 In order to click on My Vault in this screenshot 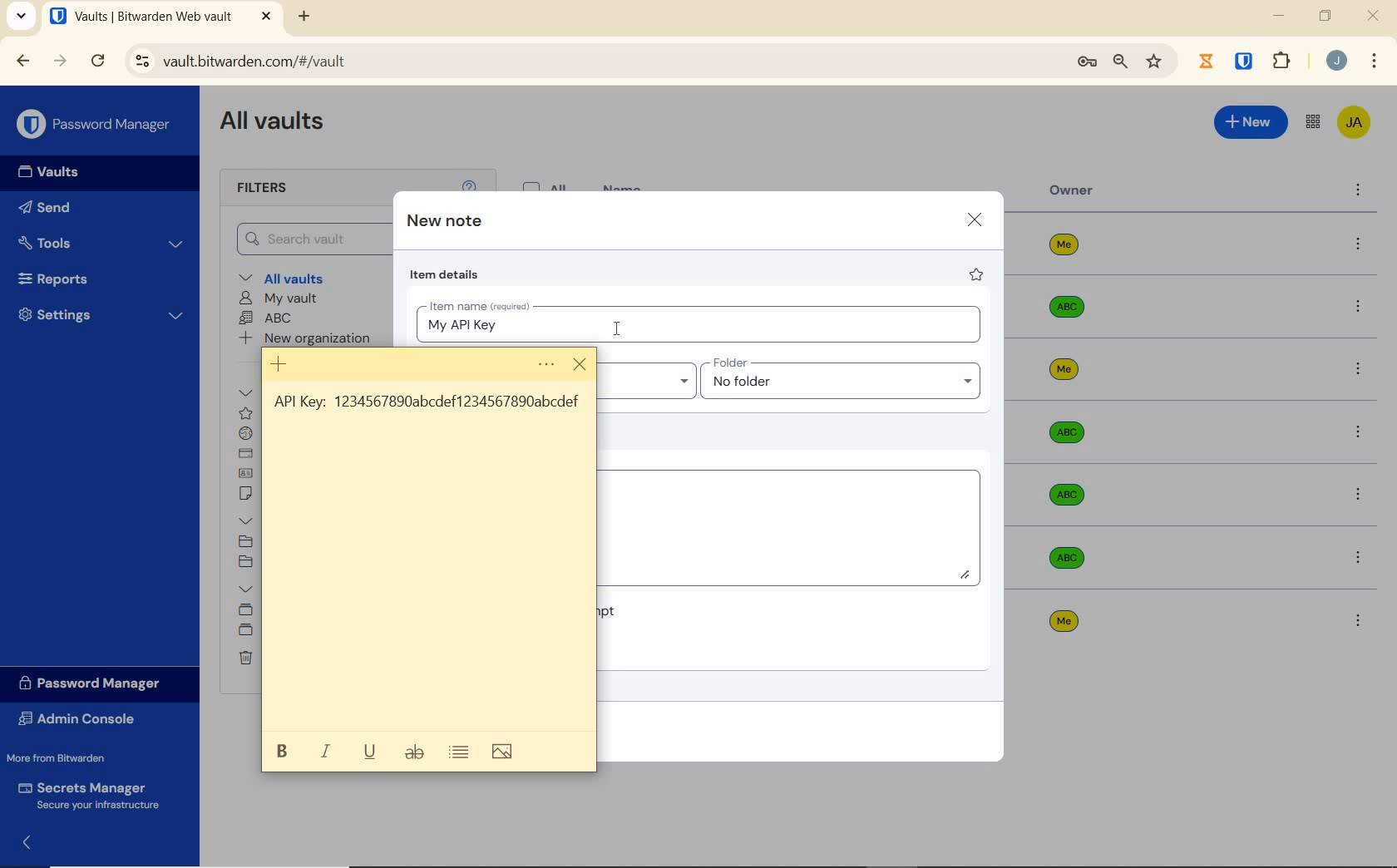, I will do `click(280, 298)`.